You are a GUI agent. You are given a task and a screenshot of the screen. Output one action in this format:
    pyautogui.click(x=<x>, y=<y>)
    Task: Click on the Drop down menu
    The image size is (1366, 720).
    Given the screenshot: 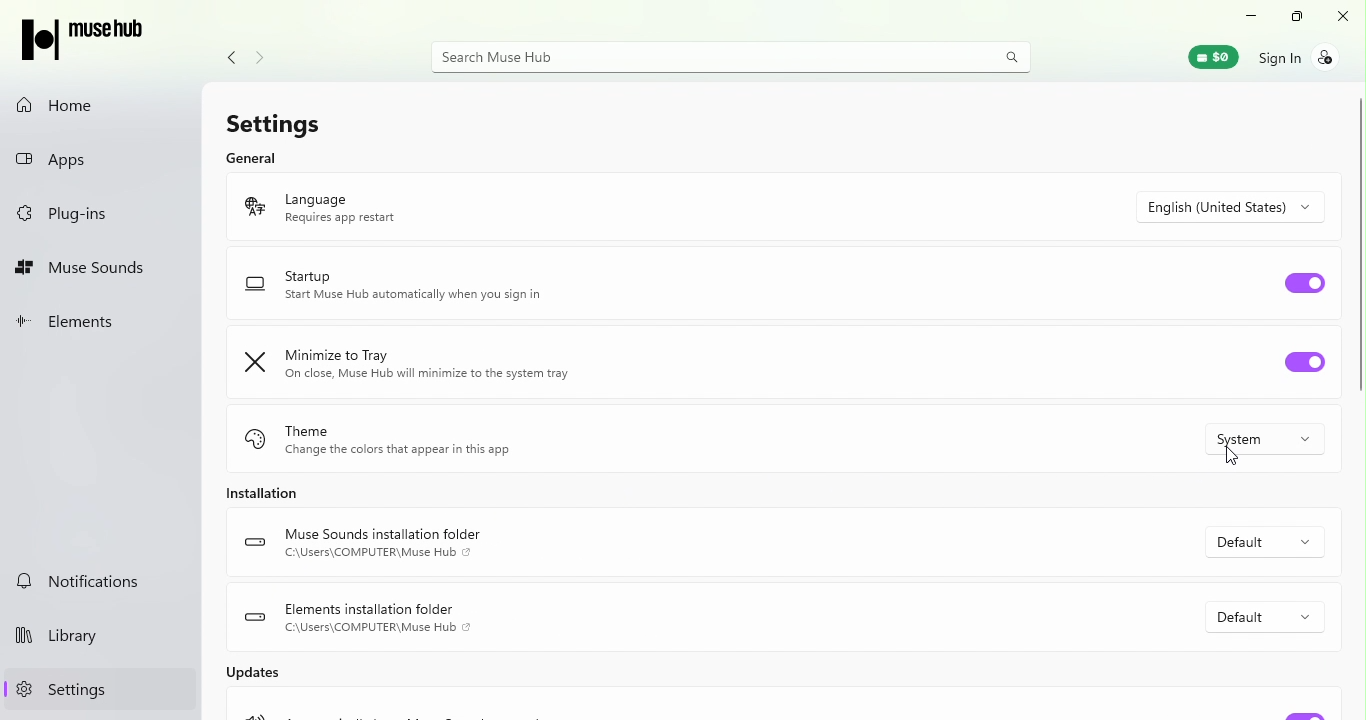 What is the action you would take?
    pyautogui.click(x=1262, y=616)
    